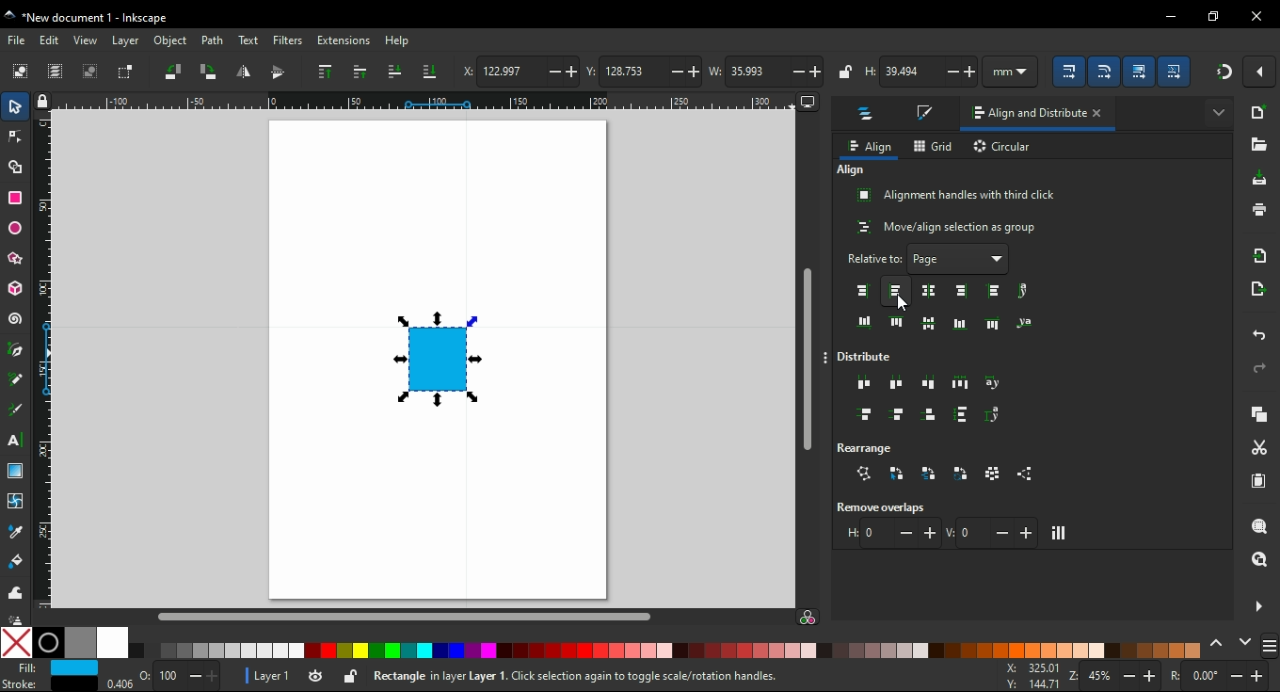 Image resolution: width=1280 pixels, height=692 pixels. Describe the element at coordinates (247, 39) in the screenshot. I see `text` at that location.